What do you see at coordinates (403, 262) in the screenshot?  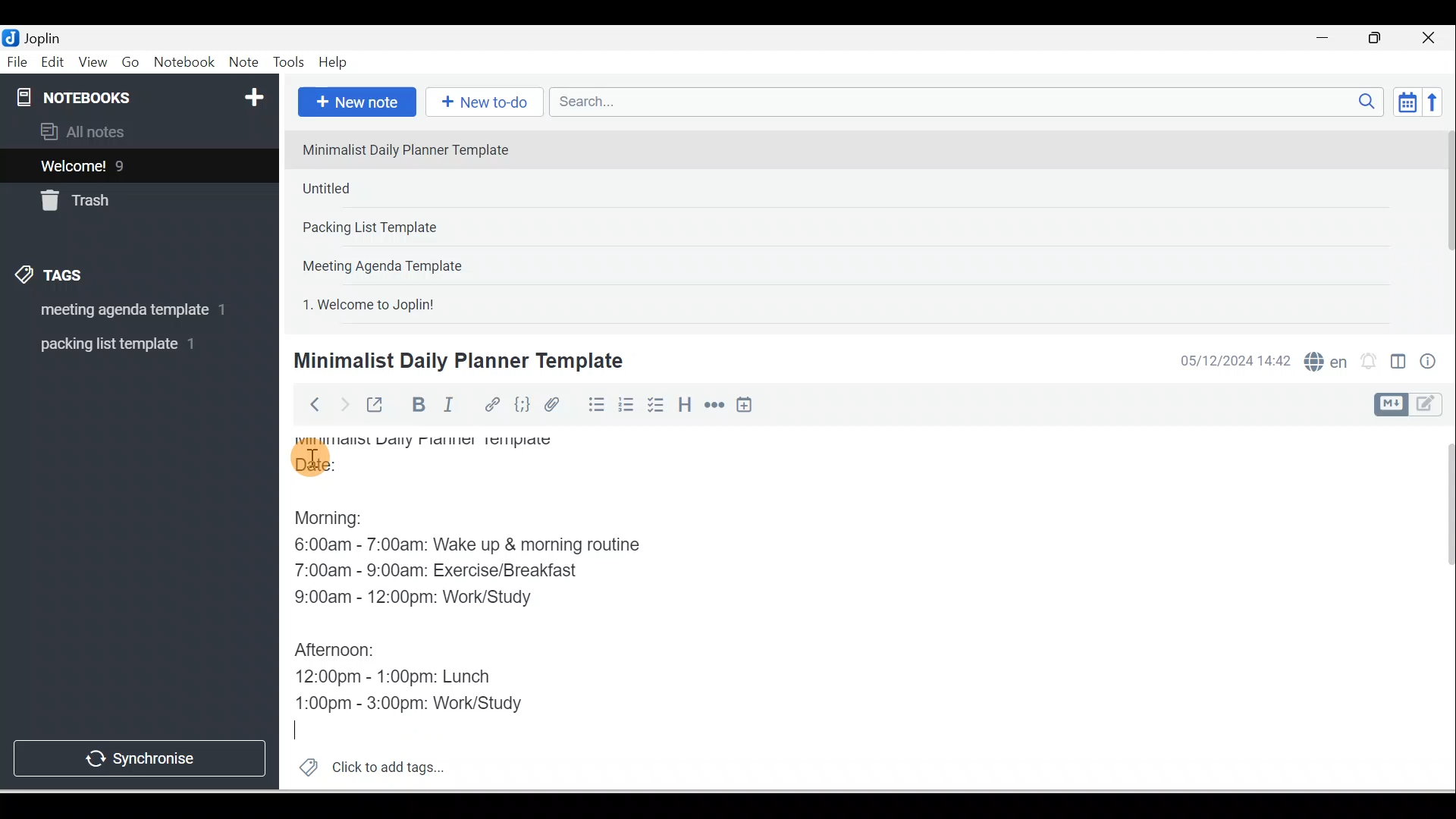 I see `Note 4` at bounding box center [403, 262].